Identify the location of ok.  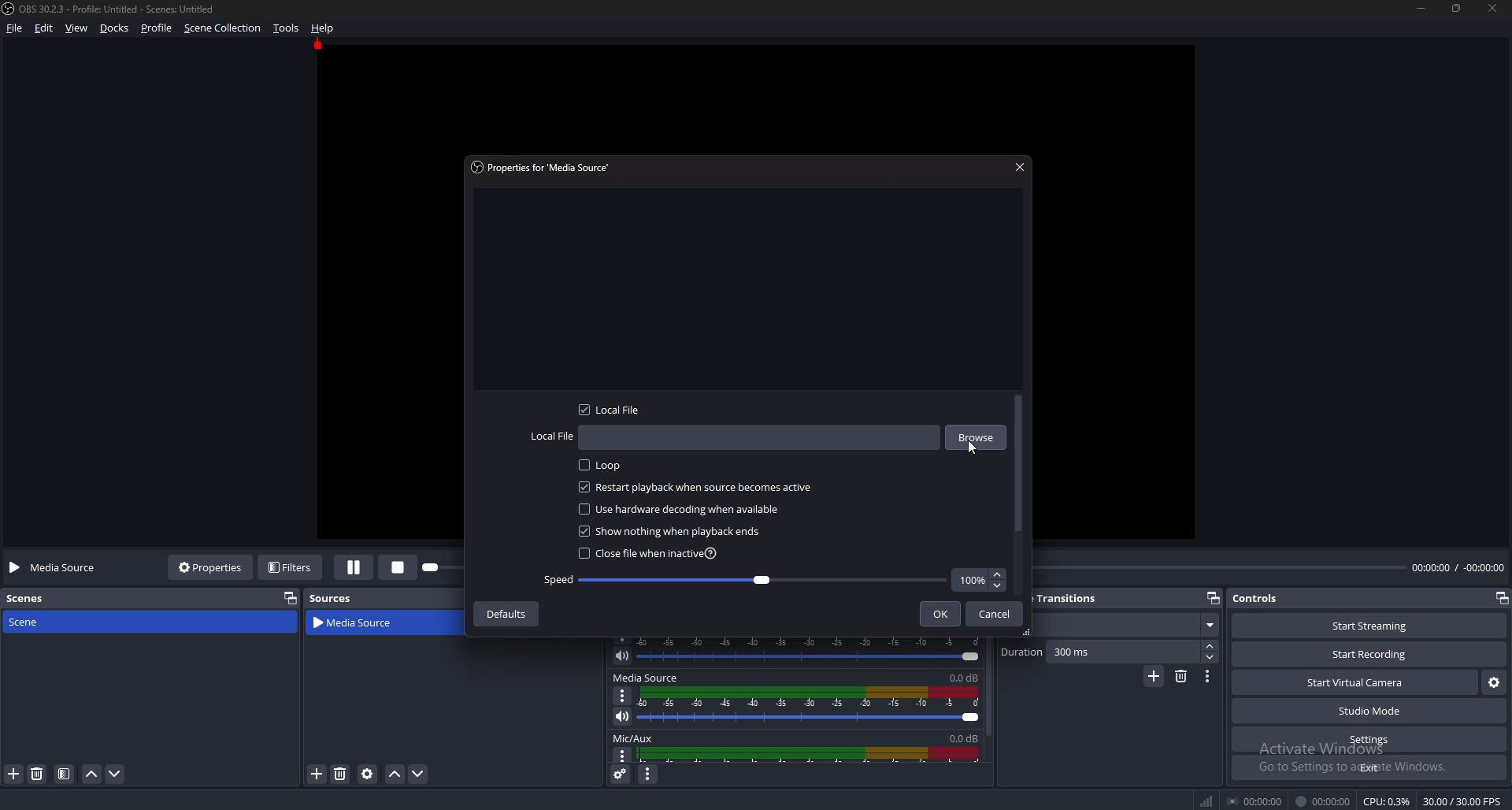
(943, 614).